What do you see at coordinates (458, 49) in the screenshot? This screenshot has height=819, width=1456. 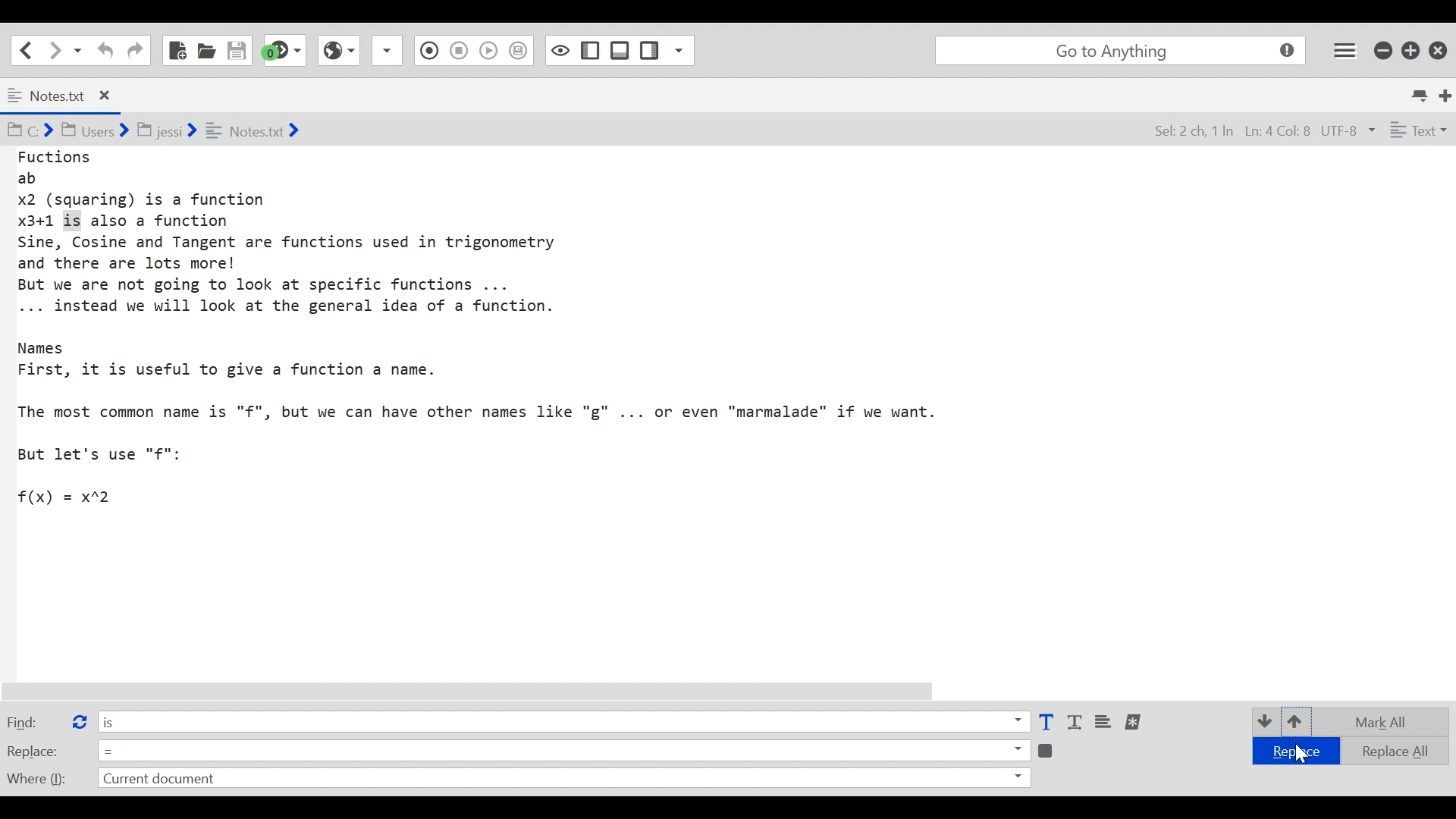 I see `View in Browser` at bounding box center [458, 49].